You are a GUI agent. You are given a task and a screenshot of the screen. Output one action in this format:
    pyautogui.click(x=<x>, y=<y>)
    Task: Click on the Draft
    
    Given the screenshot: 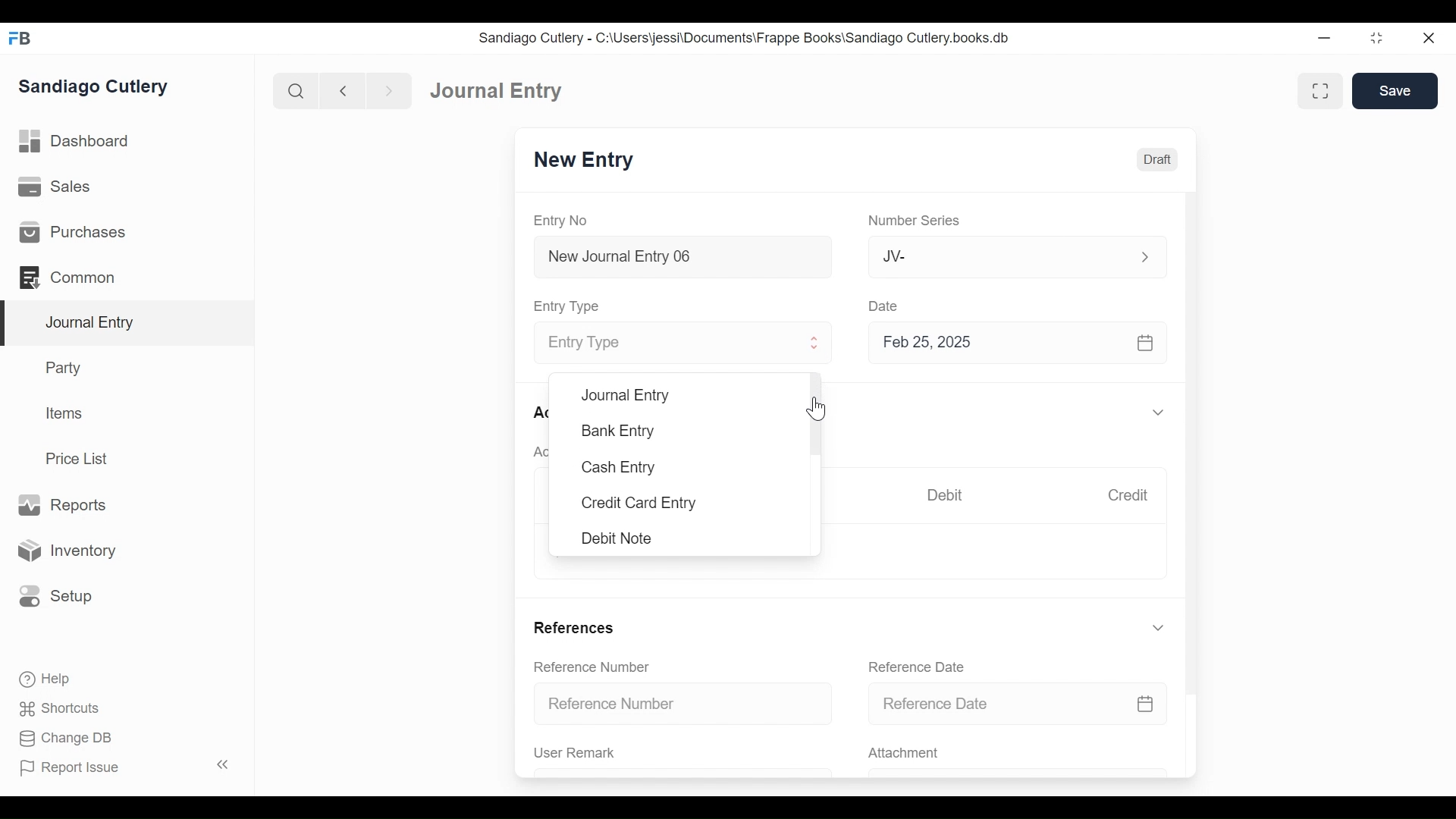 What is the action you would take?
    pyautogui.click(x=1157, y=160)
    